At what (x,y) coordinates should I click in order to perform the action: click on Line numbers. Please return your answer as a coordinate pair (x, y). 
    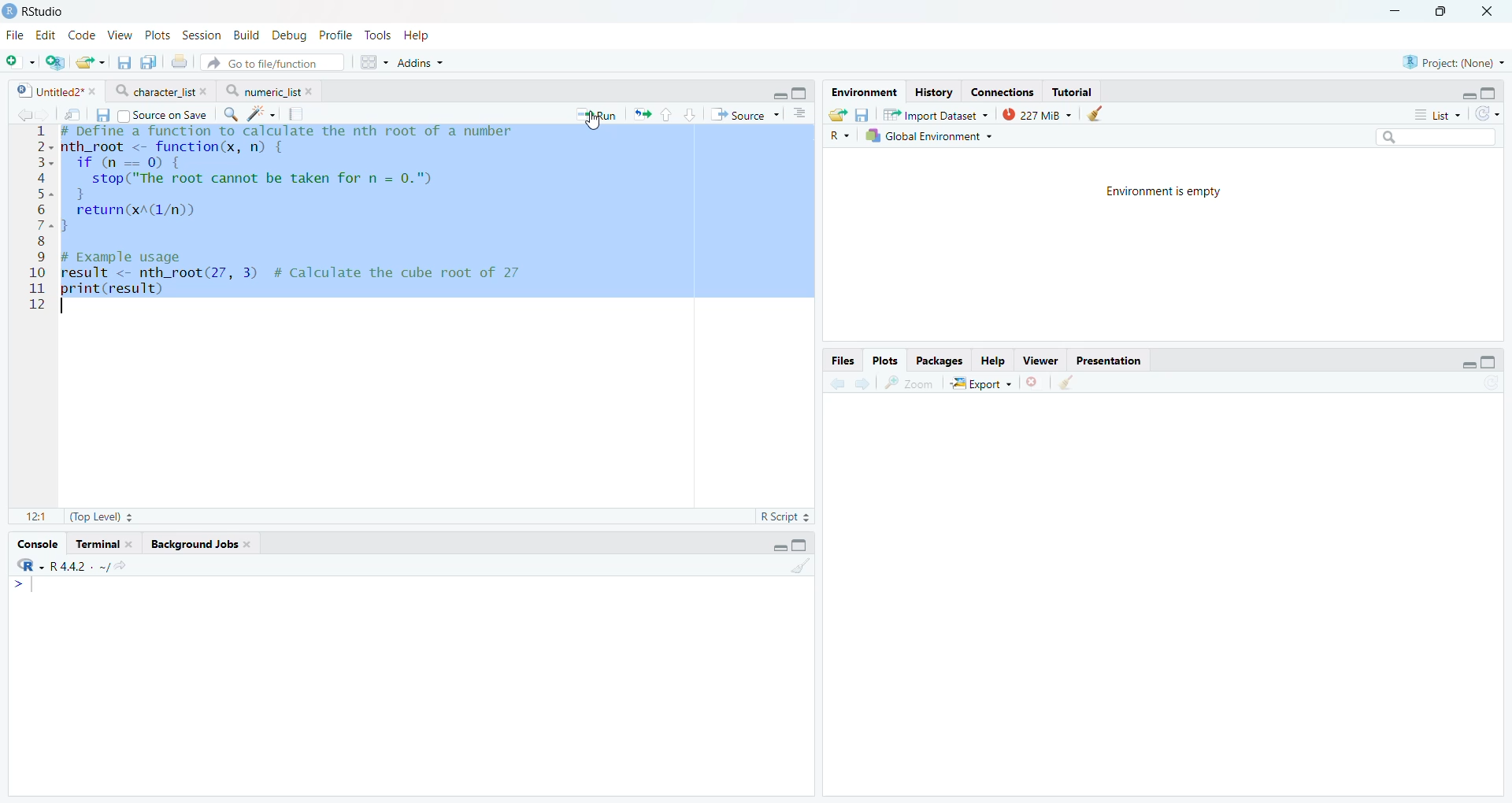
    Looking at the image, I should click on (41, 216).